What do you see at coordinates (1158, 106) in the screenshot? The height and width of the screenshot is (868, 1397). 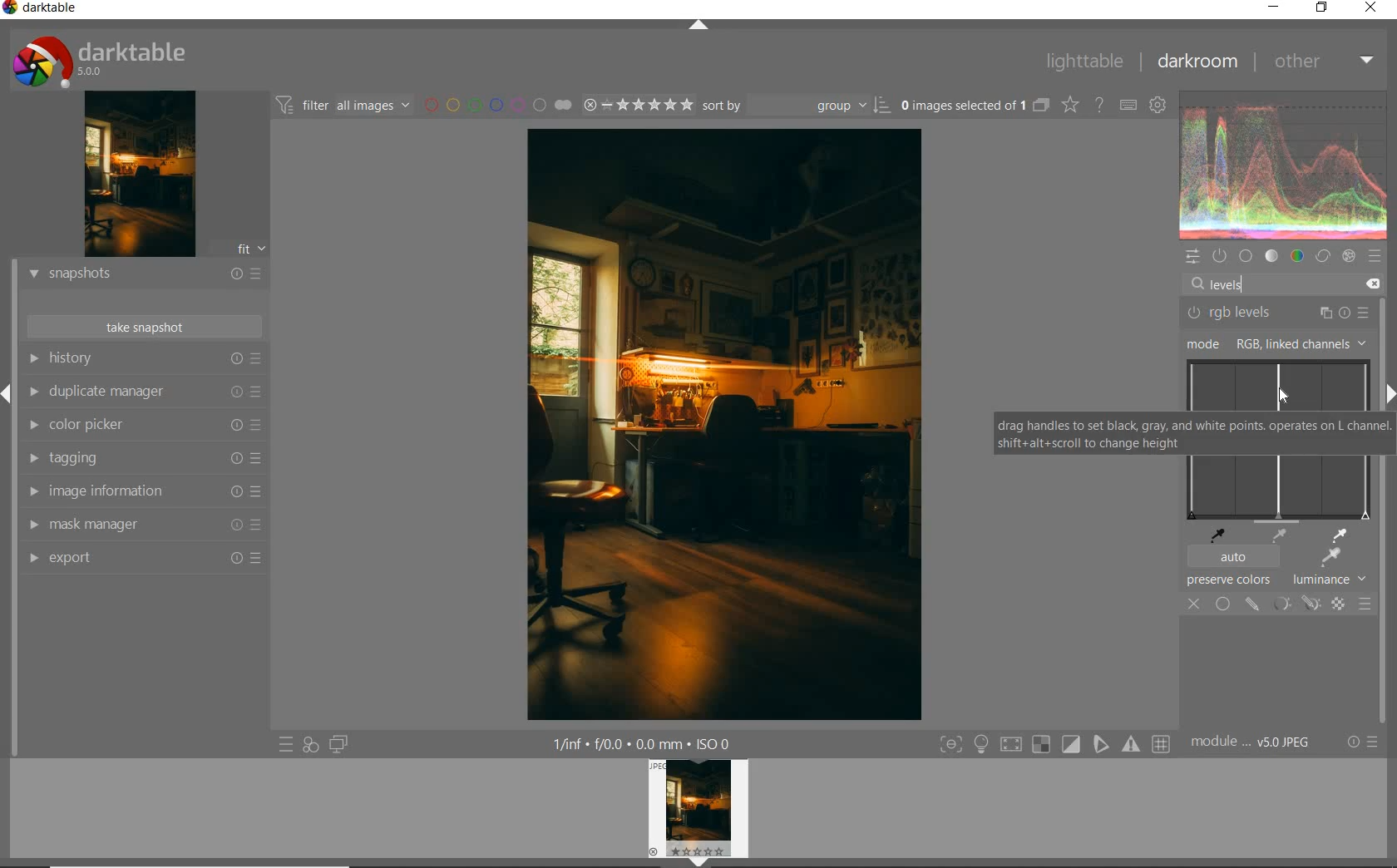 I see `show global preferences` at bounding box center [1158, 106].